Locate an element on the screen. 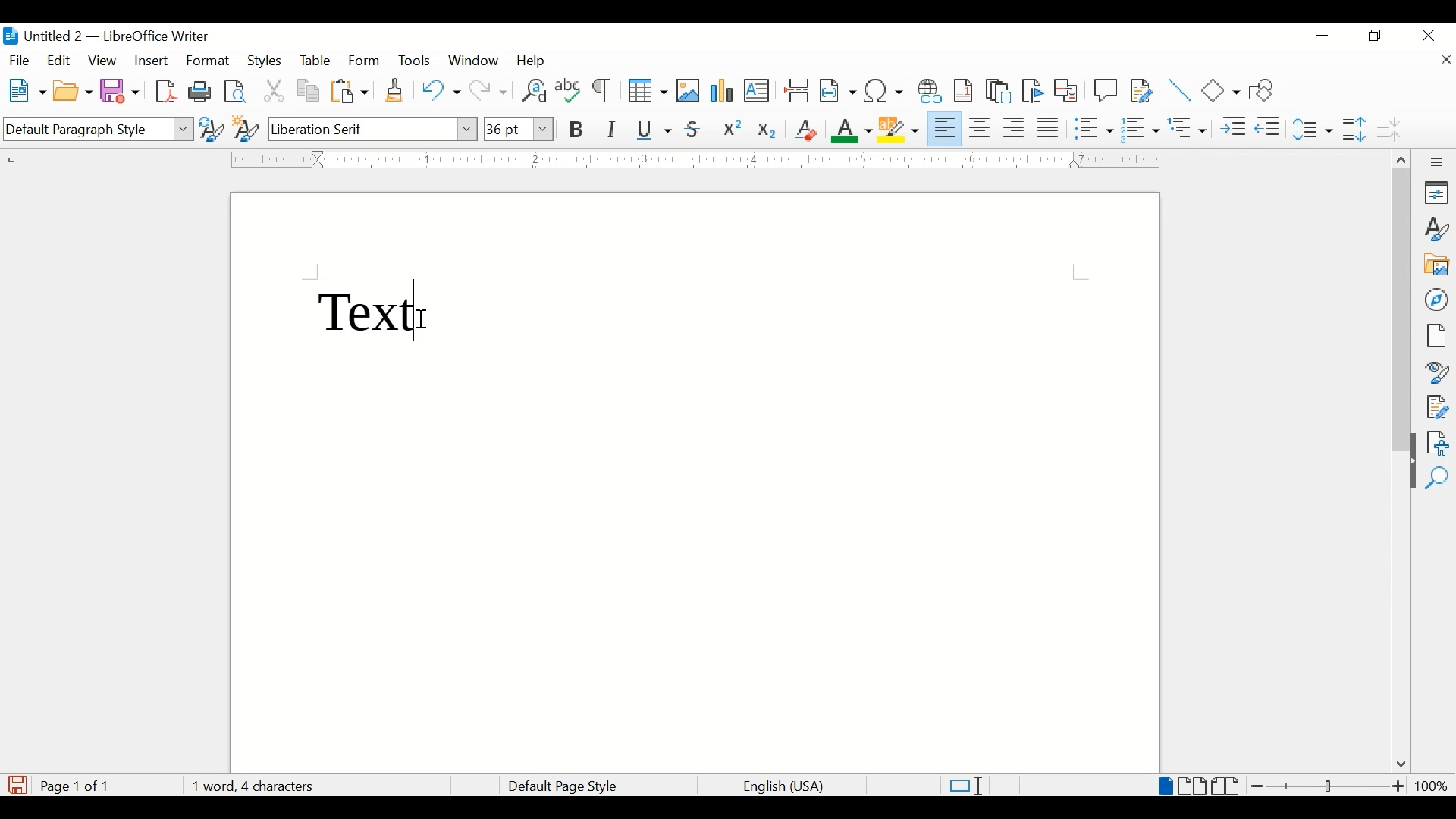 Image resolution: width=1456 pixels, height=819 pixels. undo is located at coordinates (441, 90).